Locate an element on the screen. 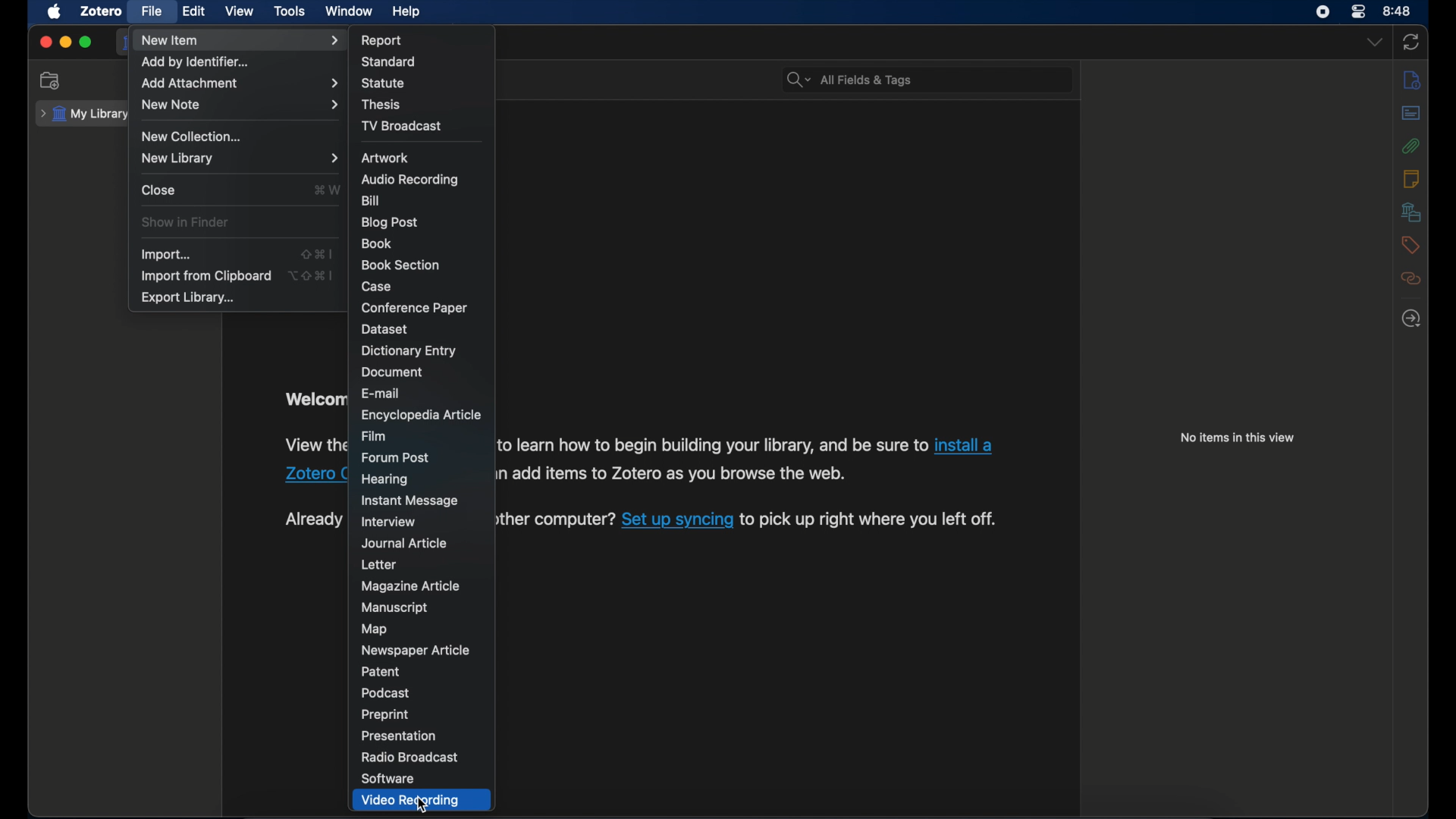 Image resolution: width=1456 pixels, height=819 pixels. apple is located at coordinates (55, 12).